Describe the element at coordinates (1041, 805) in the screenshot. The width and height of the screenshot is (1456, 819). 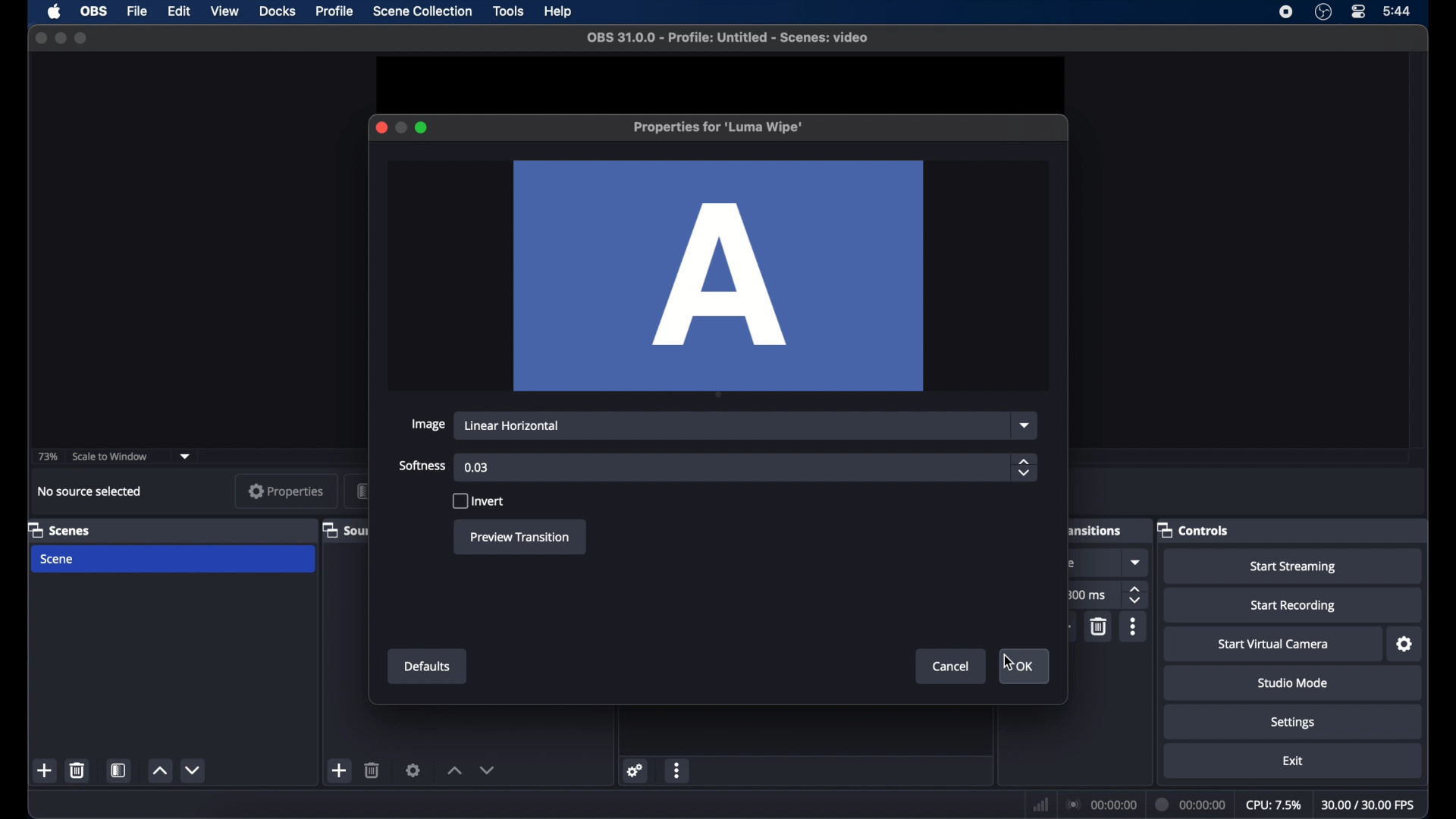
I see `network` at that location.